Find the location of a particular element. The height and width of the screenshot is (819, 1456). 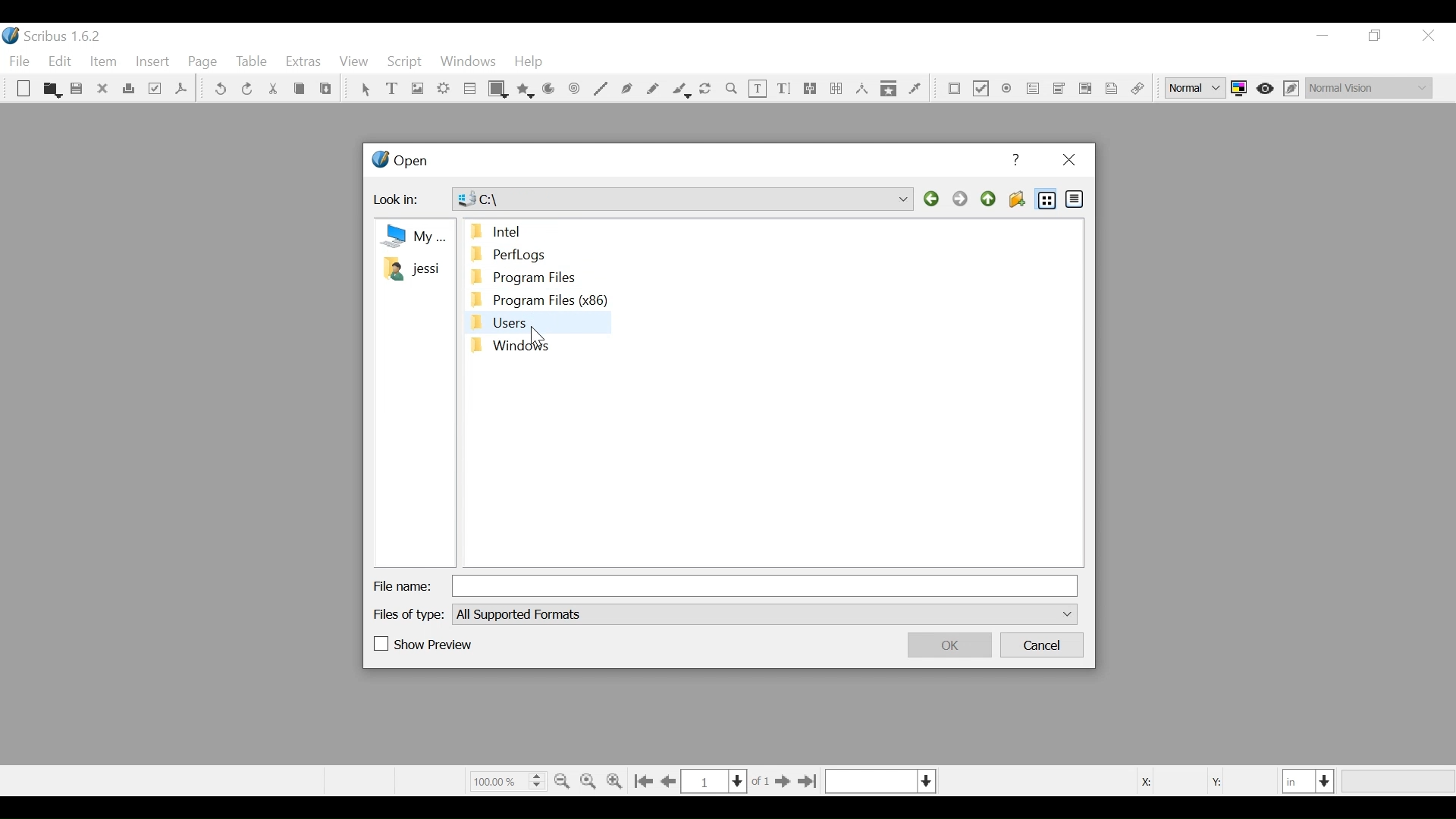

Polygon is located at coordinates (526, 89).